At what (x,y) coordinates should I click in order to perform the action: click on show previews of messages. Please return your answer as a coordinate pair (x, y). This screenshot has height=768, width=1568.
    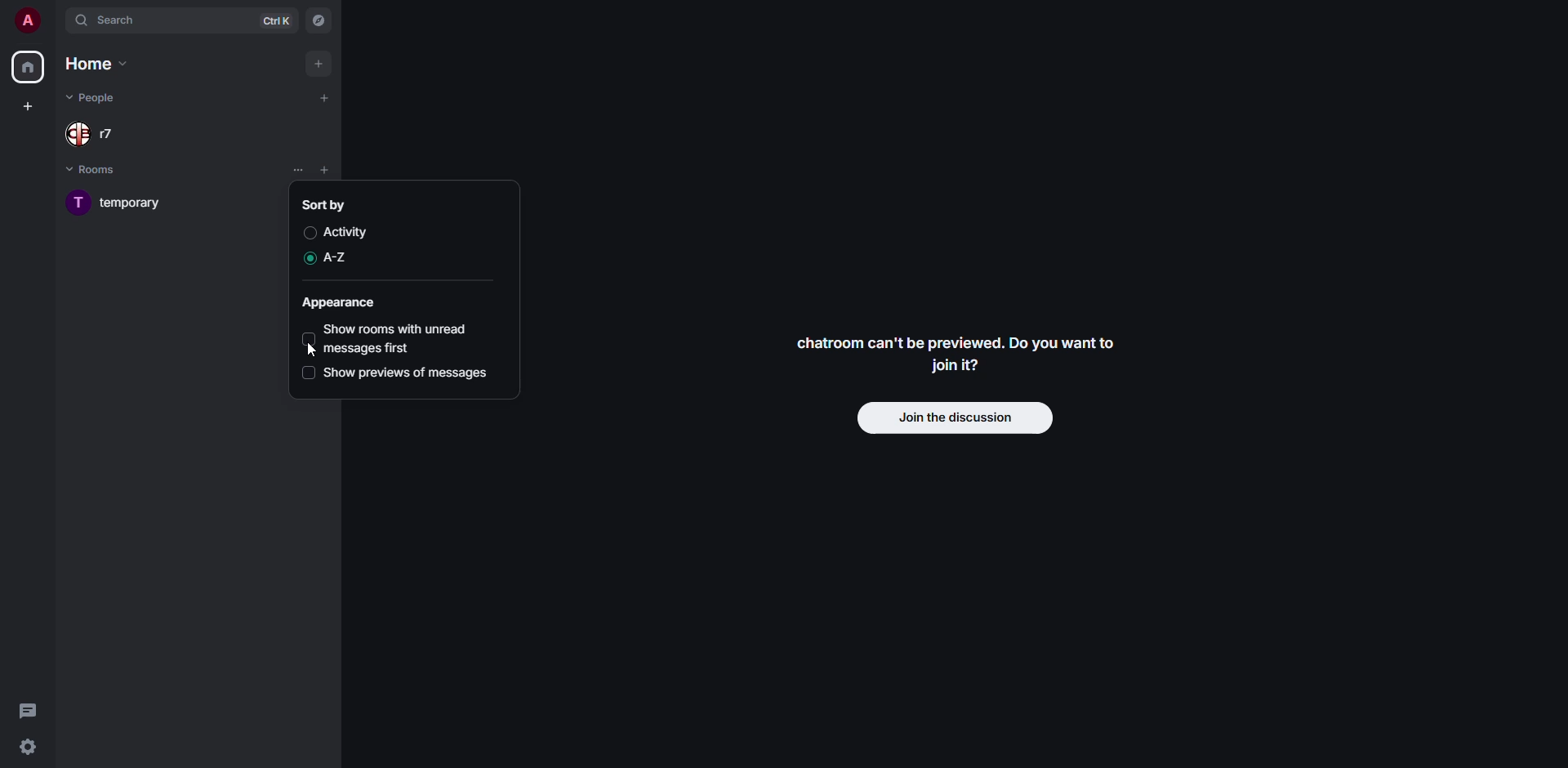
    Looking at the image, I should click on (409, 373).